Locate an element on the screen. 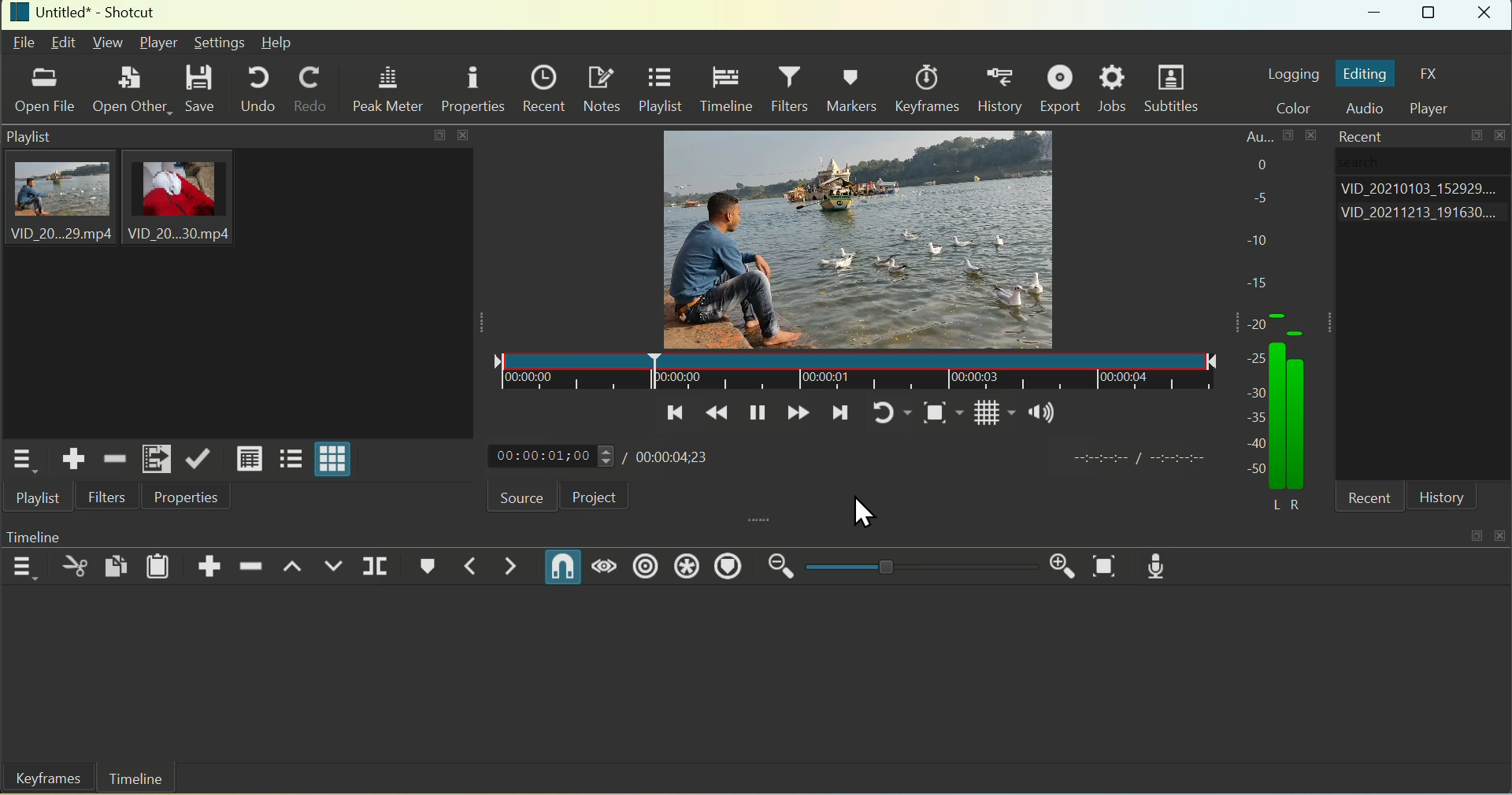 This screenshot has width=1512, height=795. Filters is located at coordinates (108, 497).